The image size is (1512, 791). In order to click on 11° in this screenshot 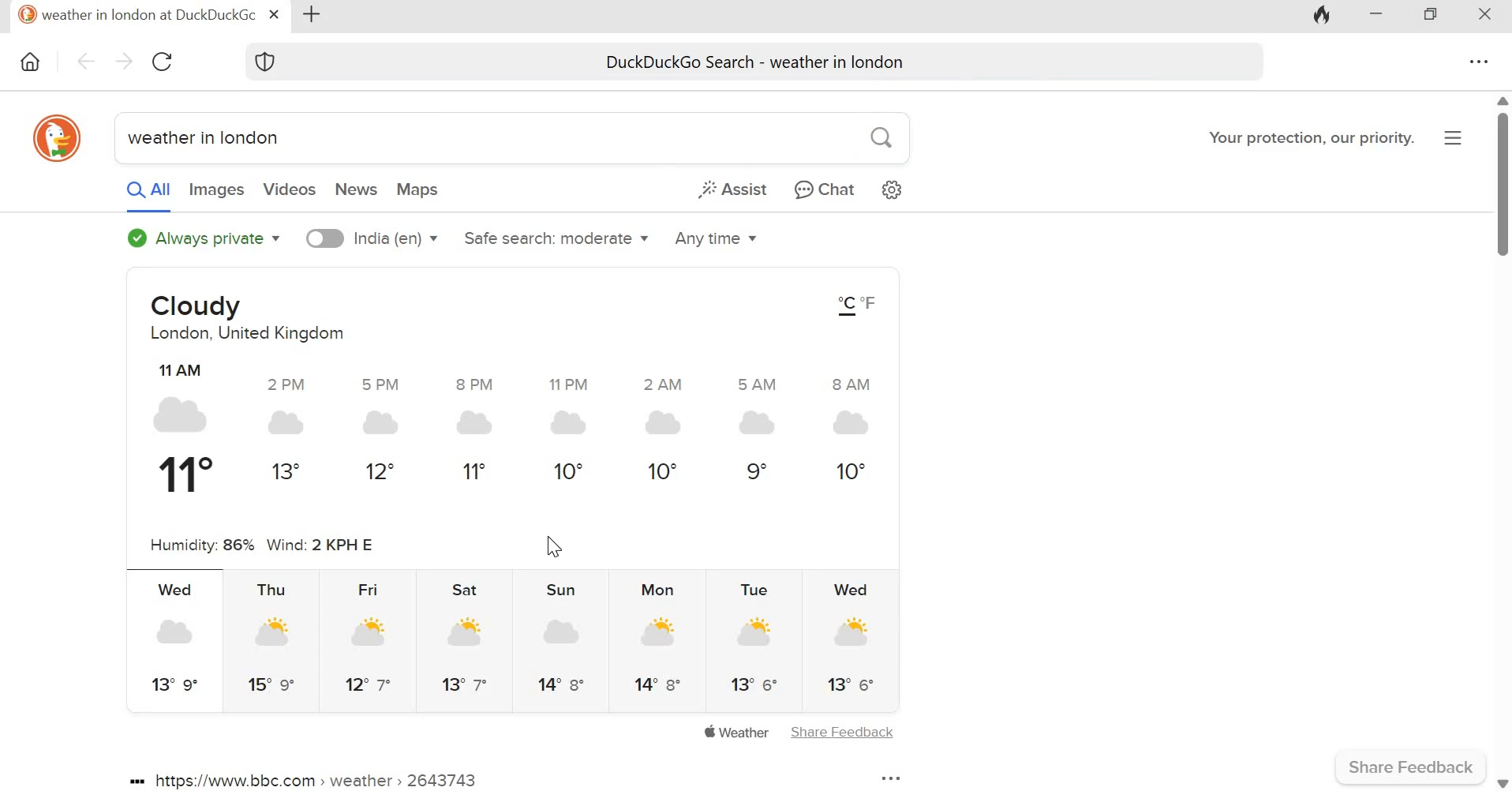, I will do `click(184, 474)`.